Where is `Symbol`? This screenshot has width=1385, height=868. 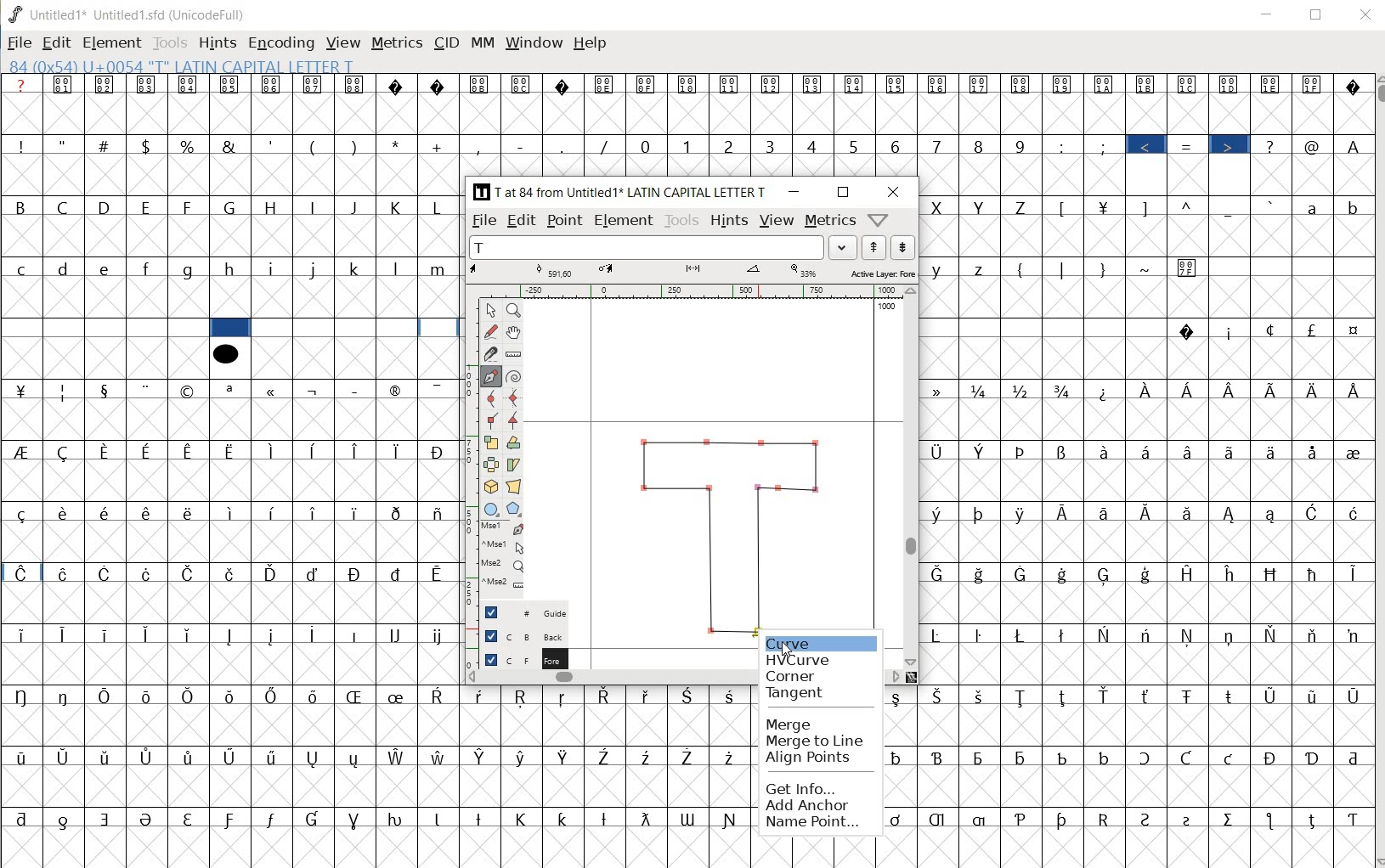
Symbol is located at coordinates (649, 695).